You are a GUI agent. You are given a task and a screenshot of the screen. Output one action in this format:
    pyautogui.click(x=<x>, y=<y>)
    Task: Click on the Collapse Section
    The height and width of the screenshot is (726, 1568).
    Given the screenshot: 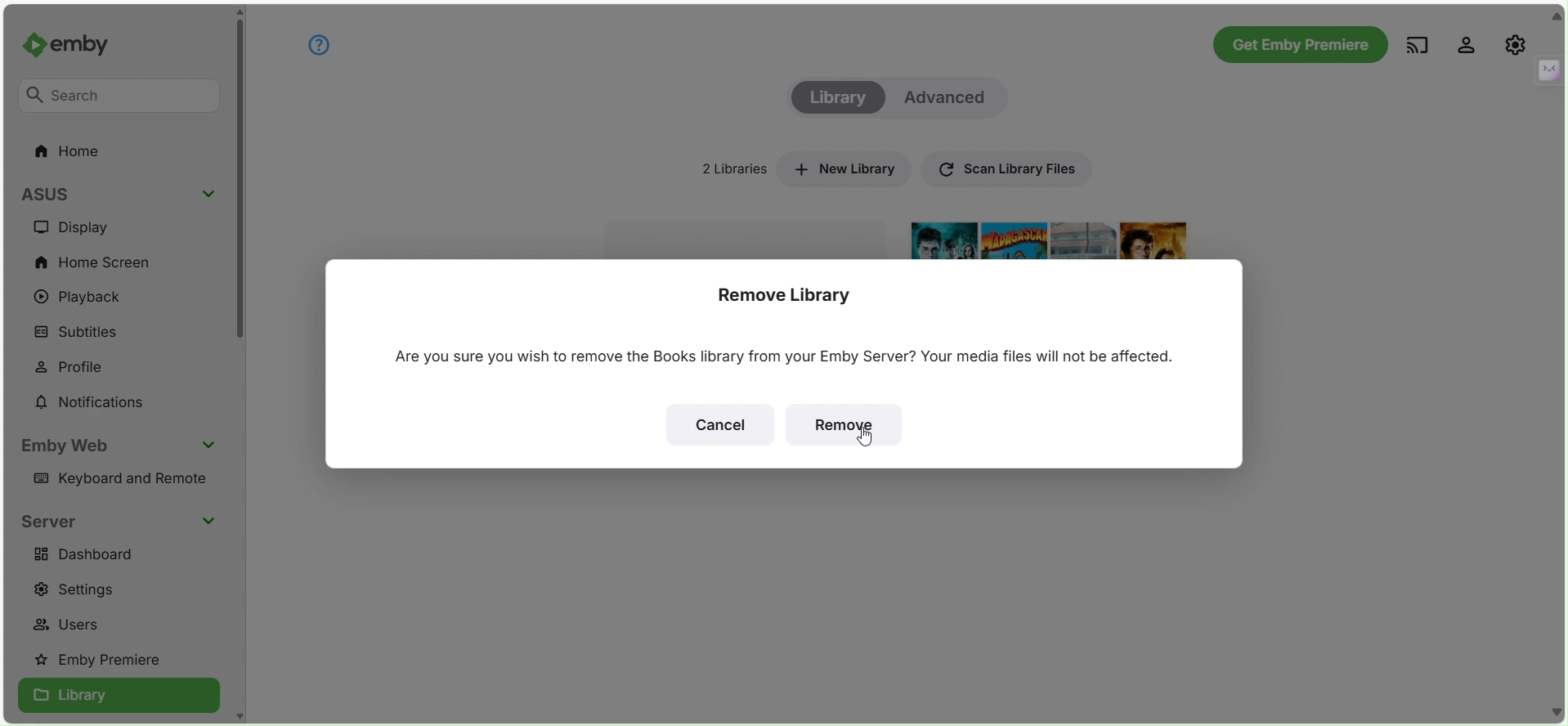 What is the action you would take?
    pyautogui.click(x=210, y=445)
    